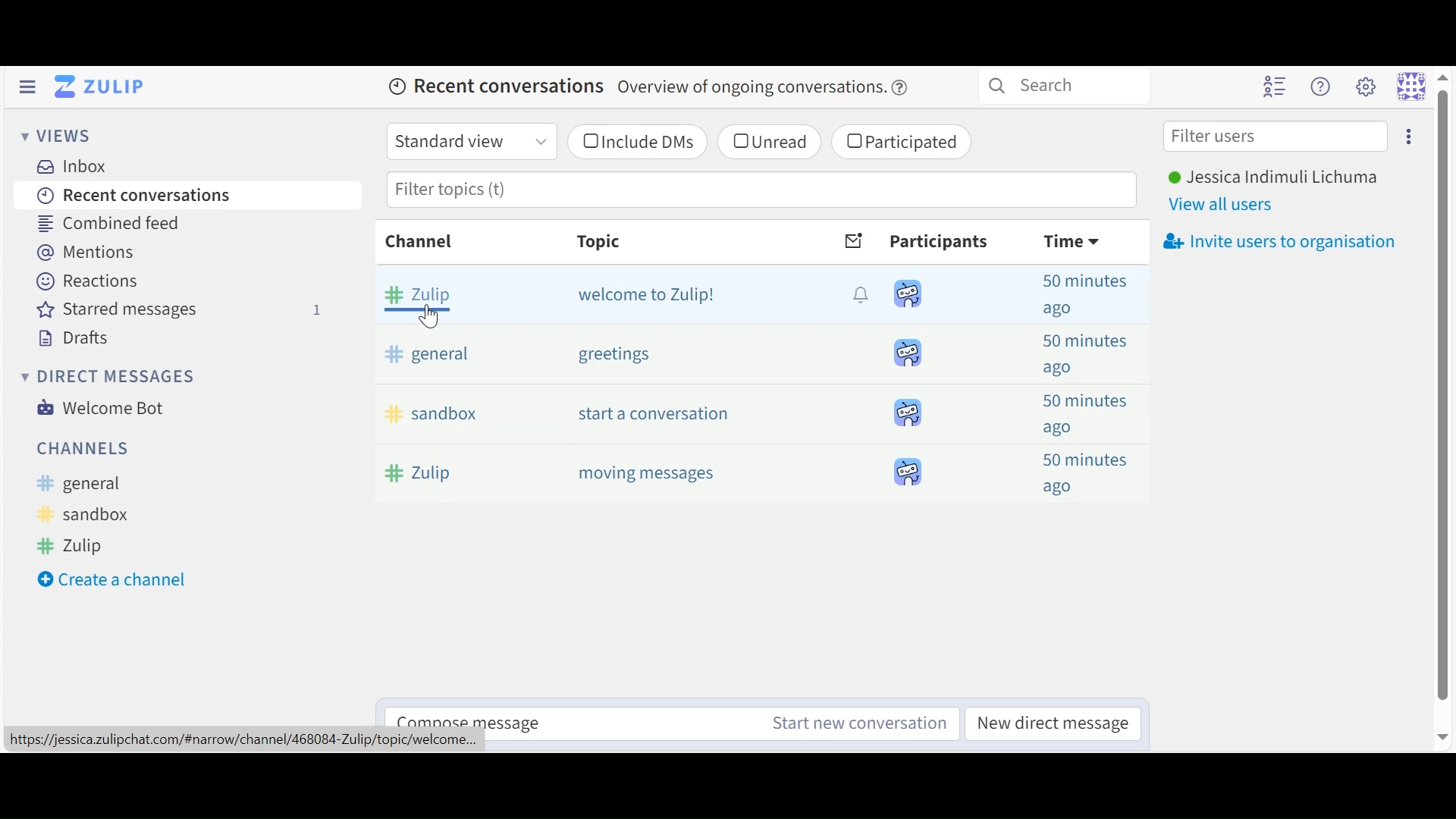 The width and height of the screenshot is (1456, 819). What do you see at coordinates (79, 253) in the screenshot?
I see `Mentions` at bounding box center [79, 253].